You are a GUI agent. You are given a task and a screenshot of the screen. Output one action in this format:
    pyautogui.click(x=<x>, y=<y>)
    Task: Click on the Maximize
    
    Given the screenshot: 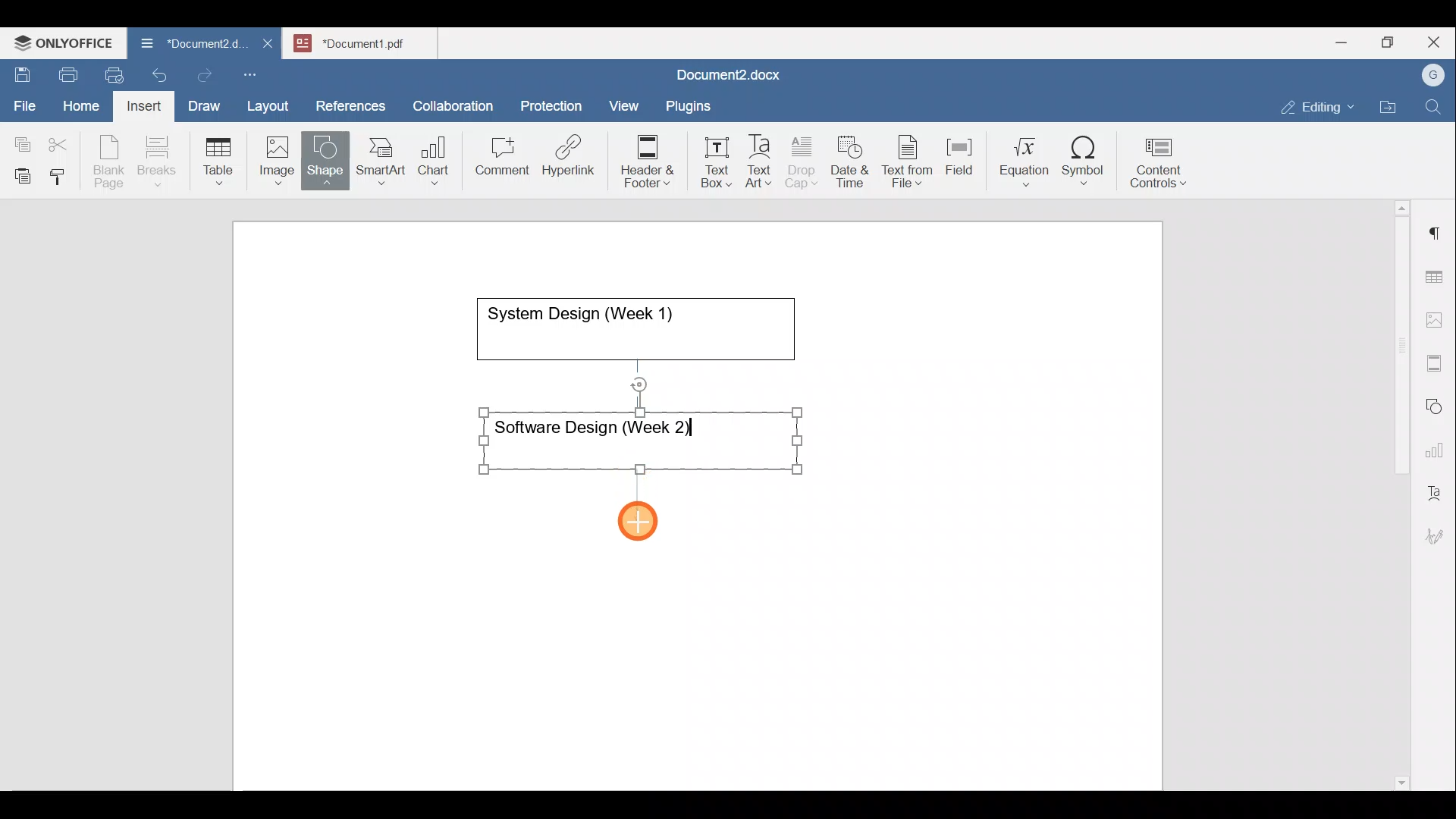 What is the action you would take?
    pyautogui.click(x=1392, y=42)
    